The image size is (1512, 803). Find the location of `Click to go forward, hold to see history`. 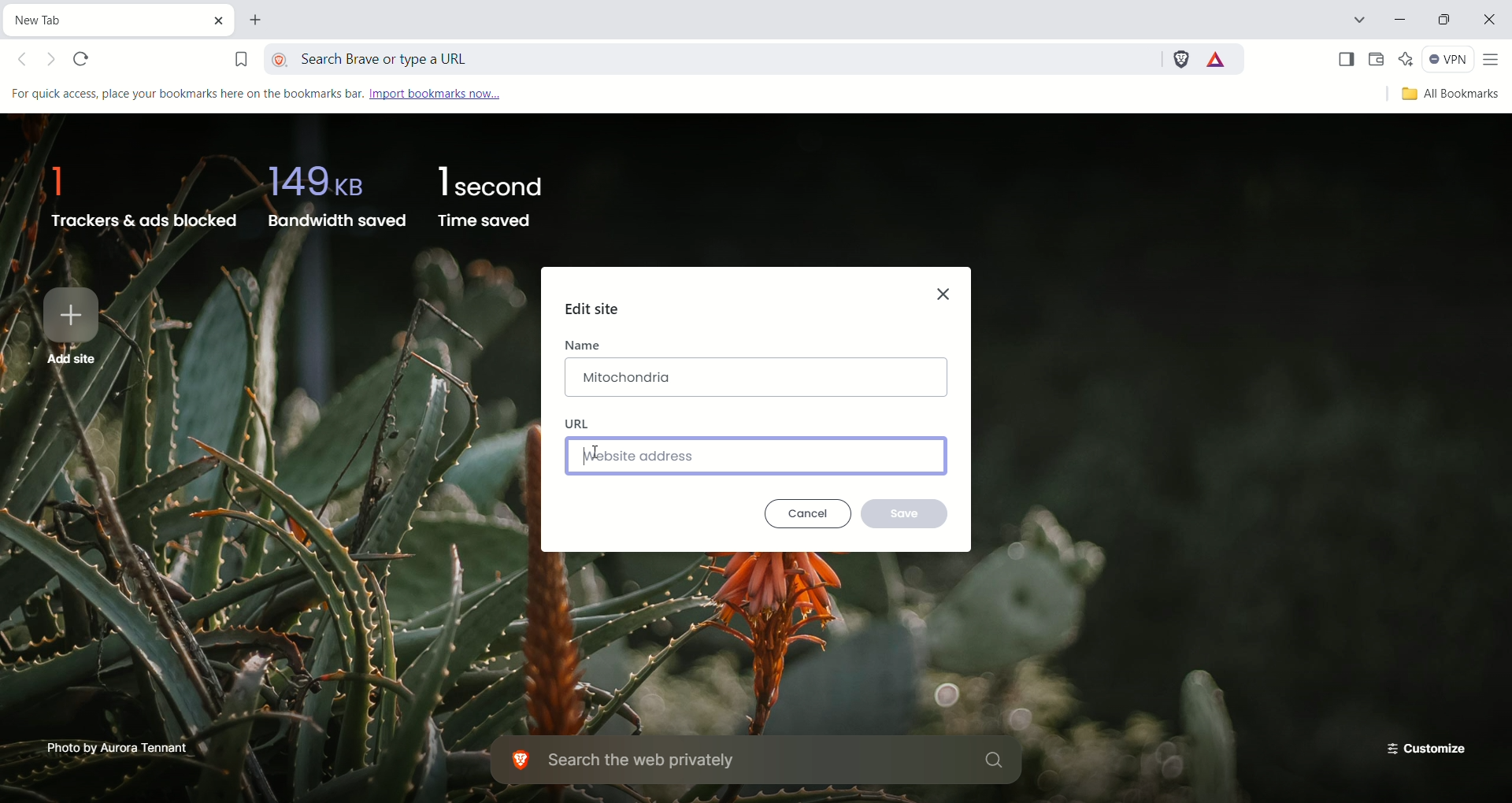

Click to go forward, hold to see history is located at coordinates (54, 62).